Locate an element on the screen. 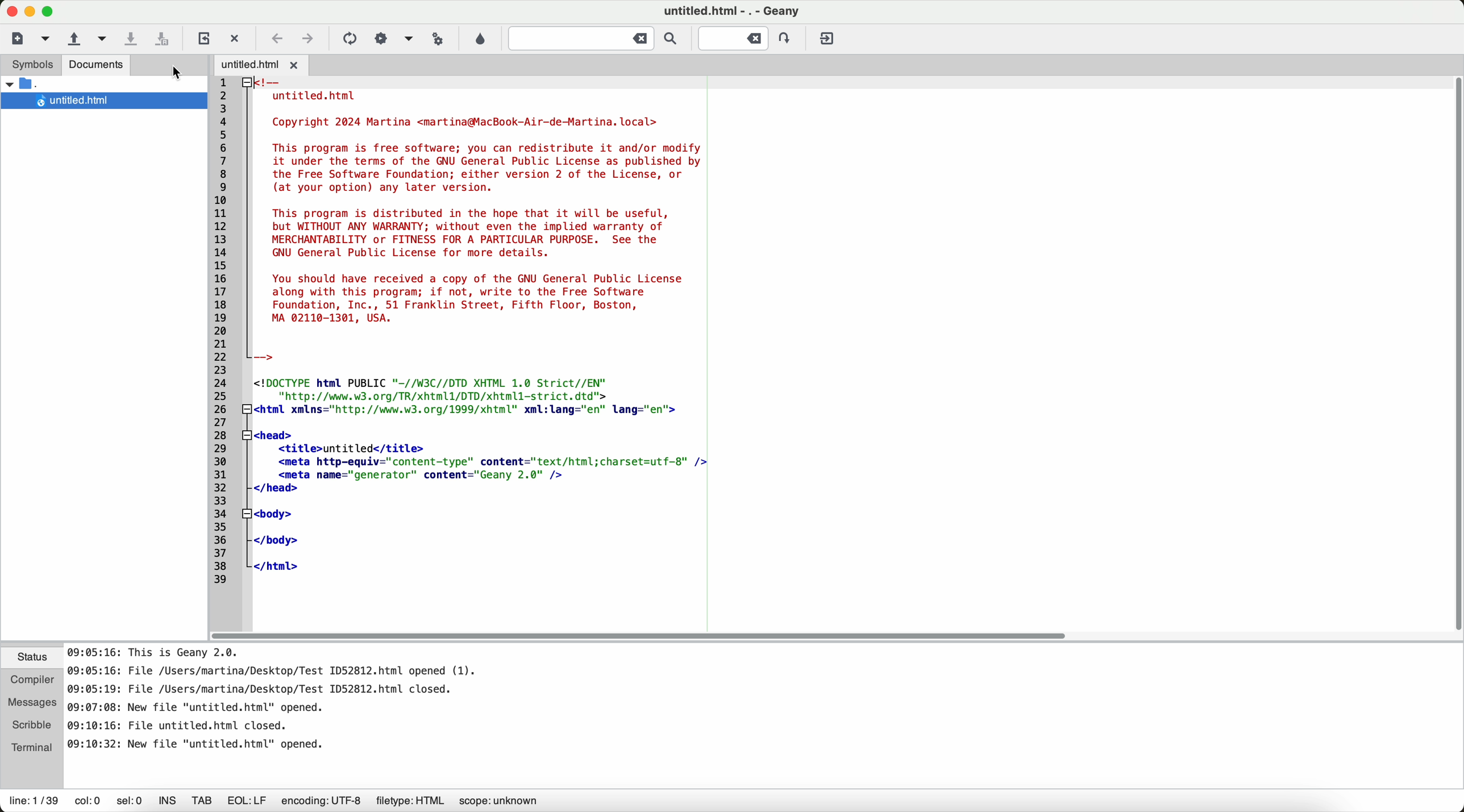 The image size is (1464, 812). pointer is located at coordinates (177, 73).